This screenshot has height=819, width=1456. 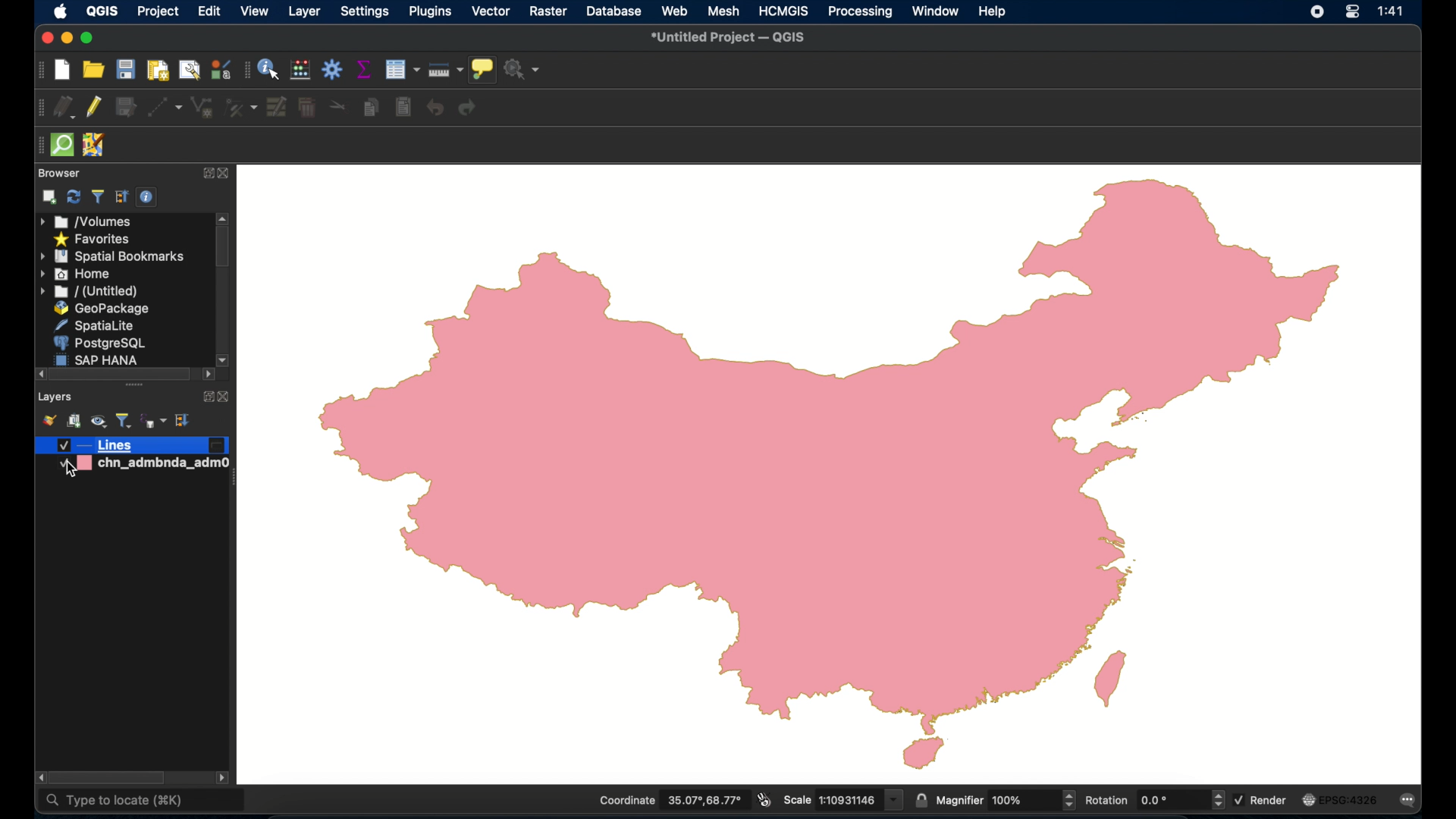 What do you see at coordinates (74, 196) in the screenshot?
I see `refresh` at bounding box center [74, 196].